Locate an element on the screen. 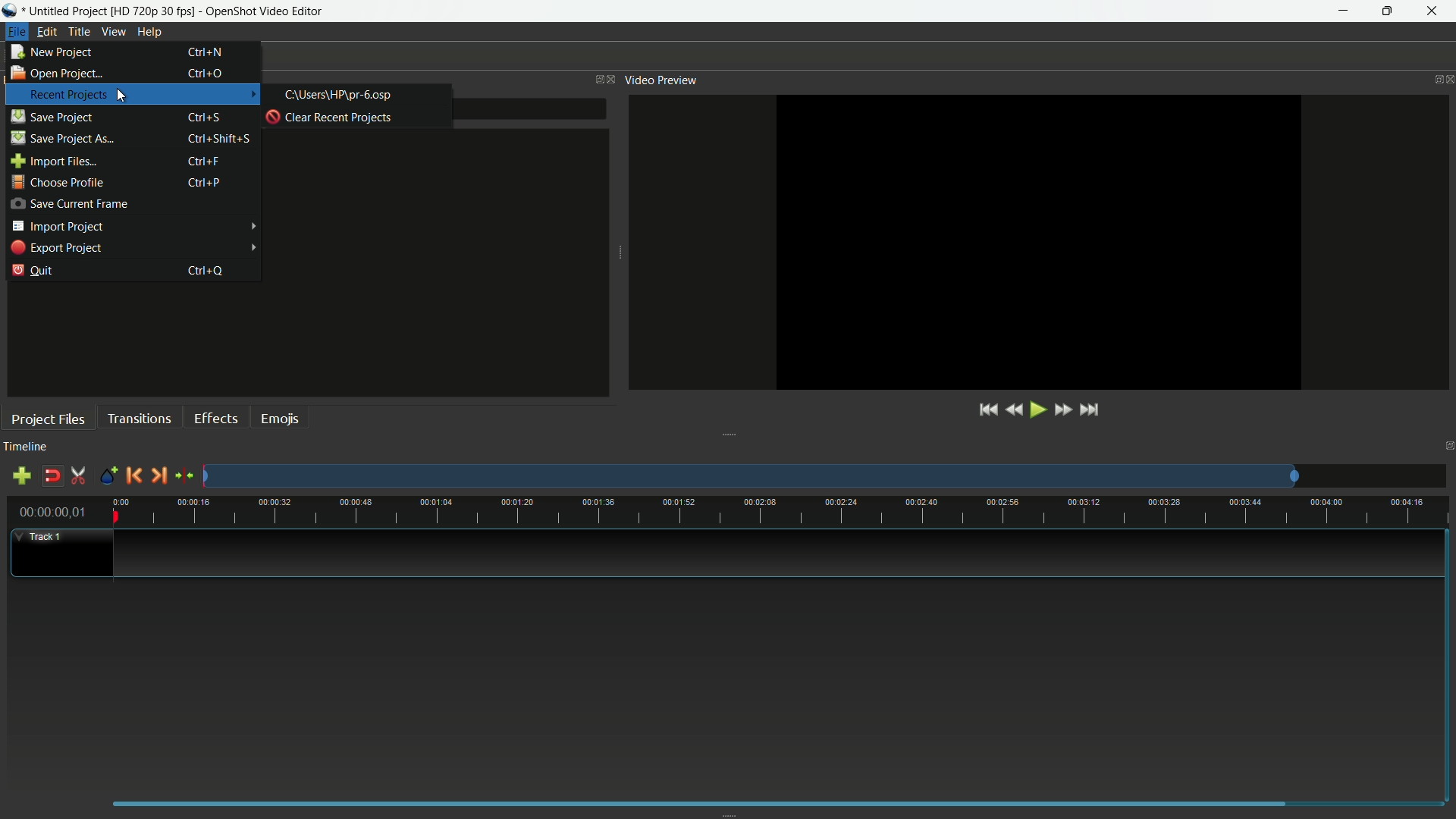 This screenshot has height=819, width=1456. close app is located at coordinates (1434, 11).